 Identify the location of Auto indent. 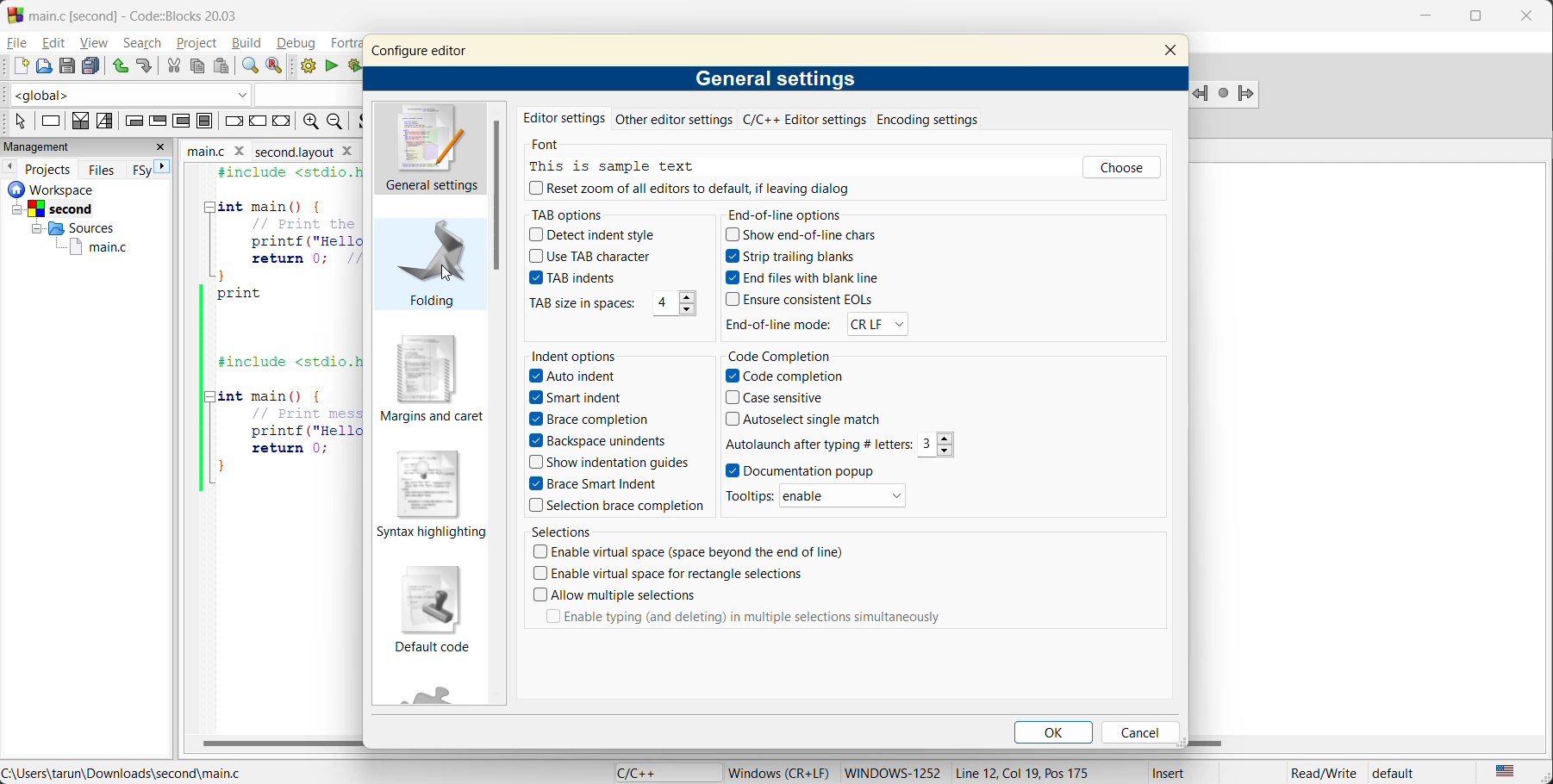
(577, 376).